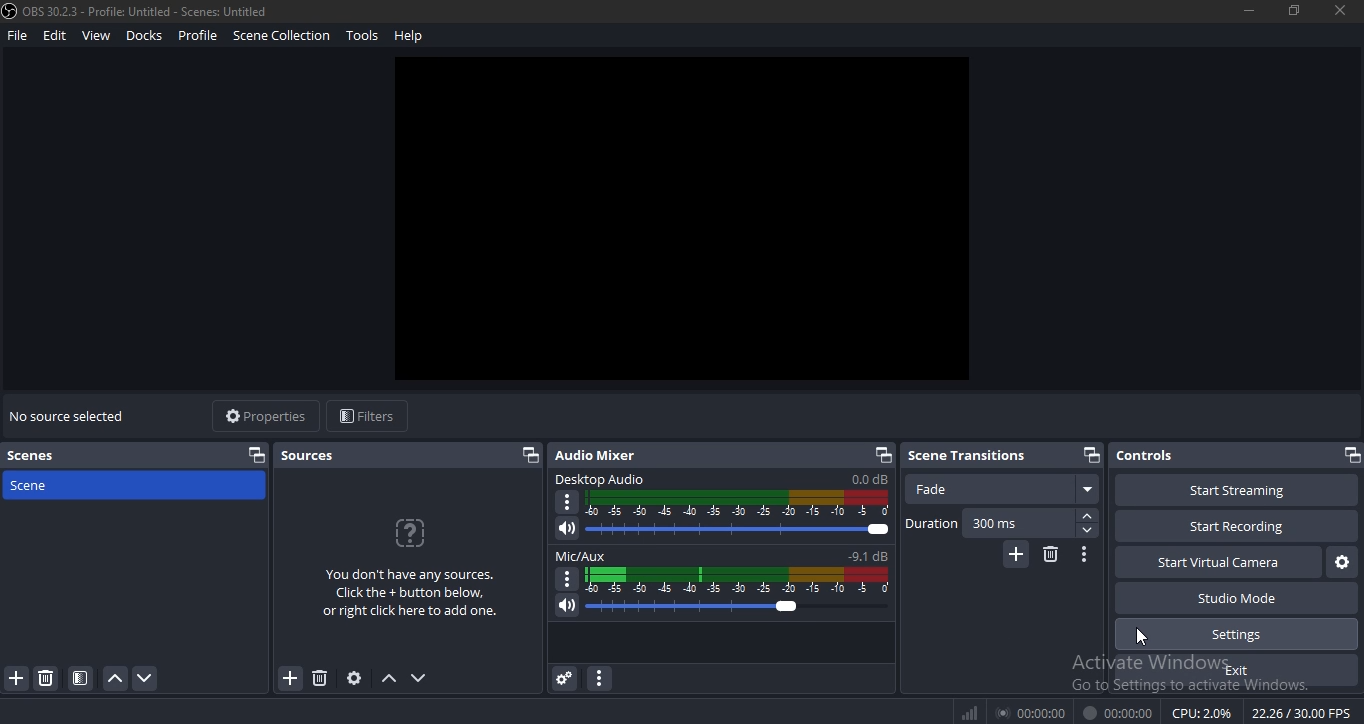 Image resolution: width=1364 pixels, height=724 pixels. What do you see at coordinates (719, 480) in the screenshot?
I see `desktop audio` at bounding box center [719, 480].